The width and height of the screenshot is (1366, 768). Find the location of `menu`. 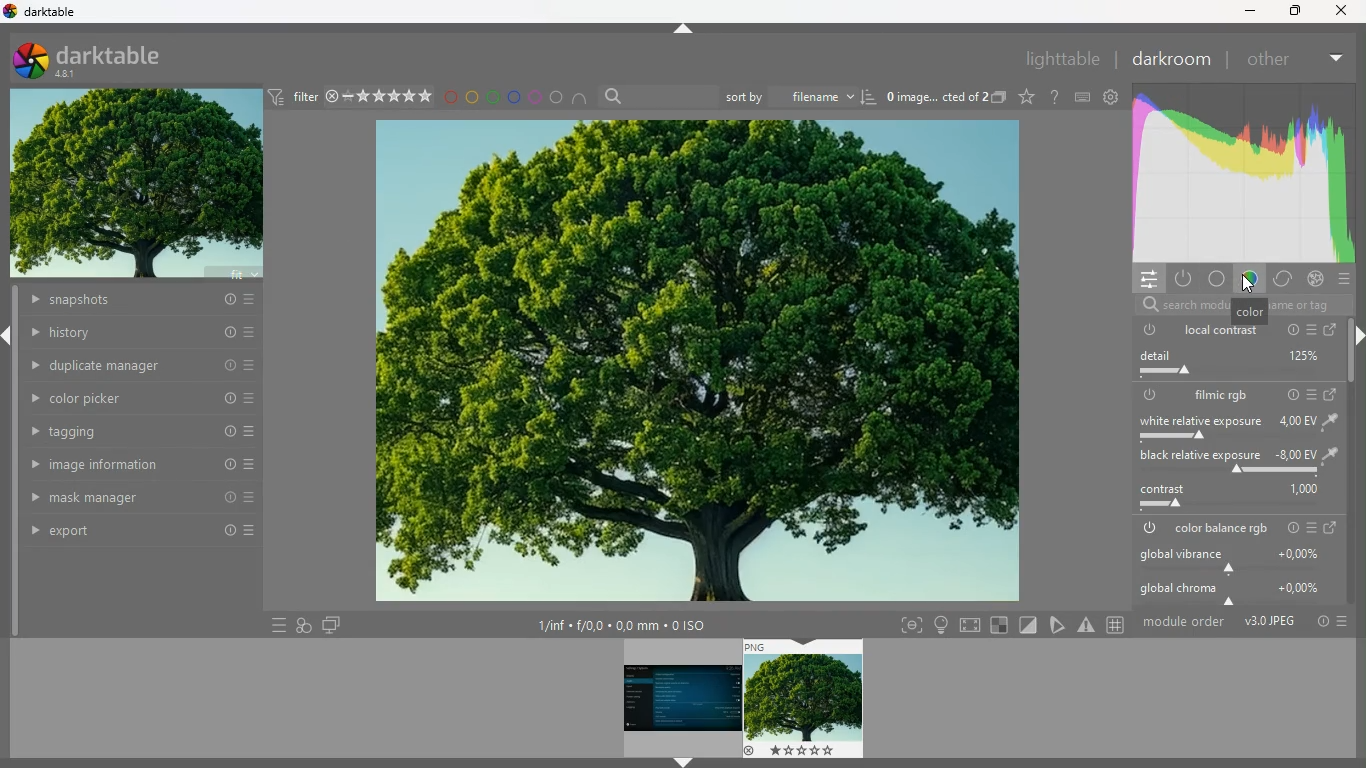

menu is located at coordinates (1346, 280).